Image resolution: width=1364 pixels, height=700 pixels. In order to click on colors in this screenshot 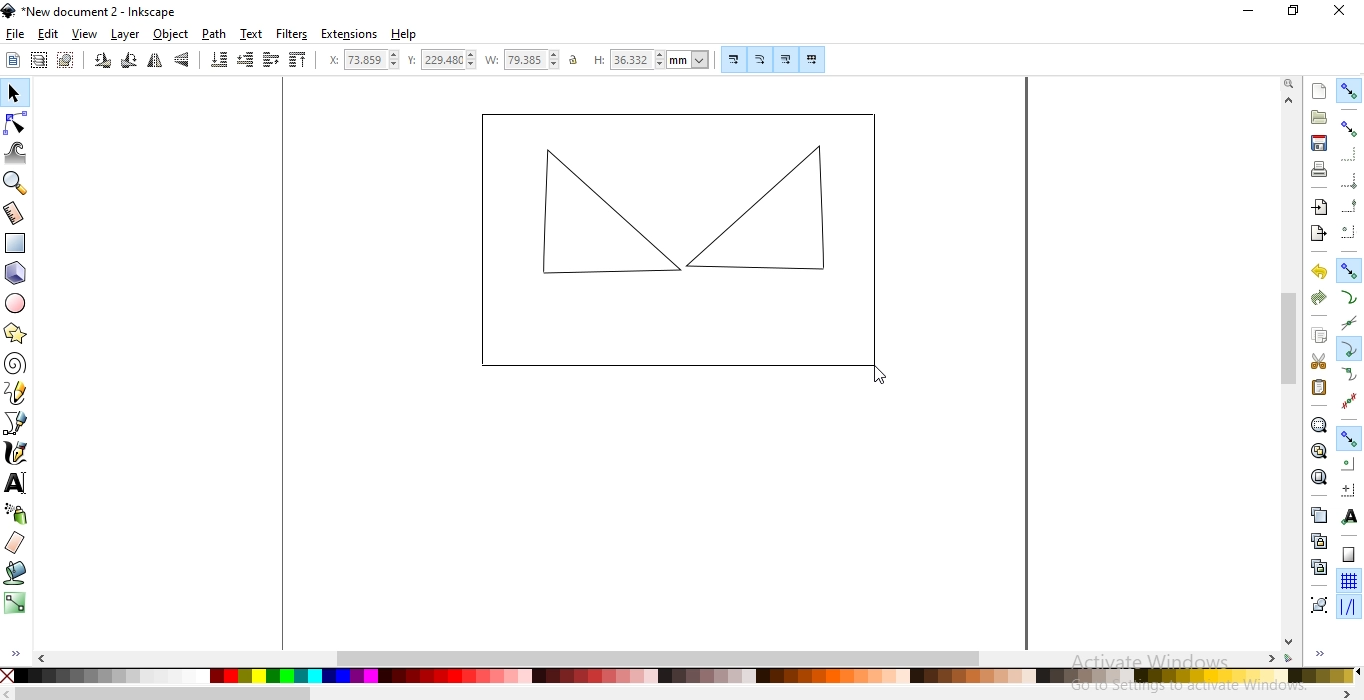, I will do `click(680, 676)`.